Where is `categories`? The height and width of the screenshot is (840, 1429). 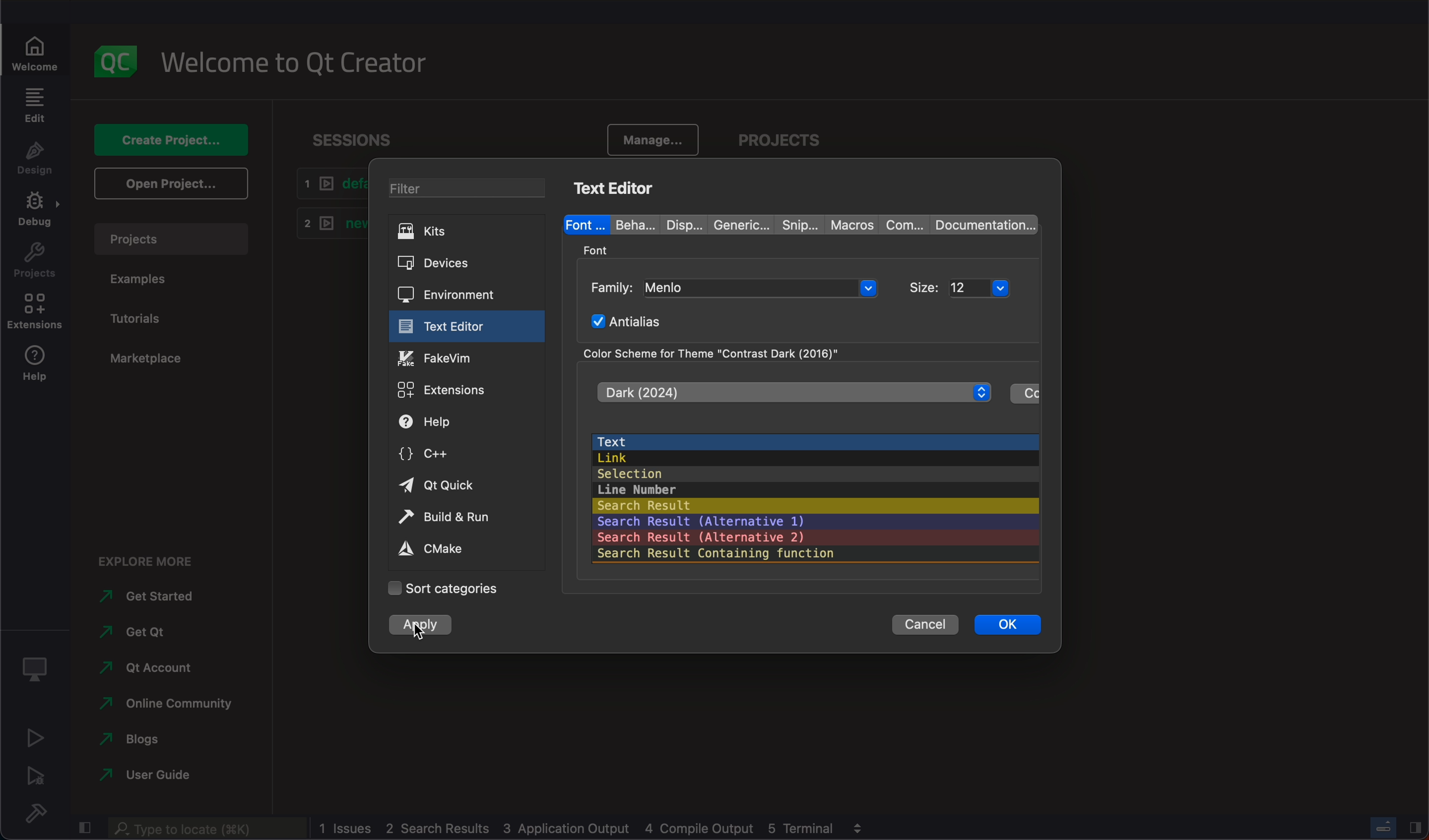
categories is located at coordinates (446, 587).